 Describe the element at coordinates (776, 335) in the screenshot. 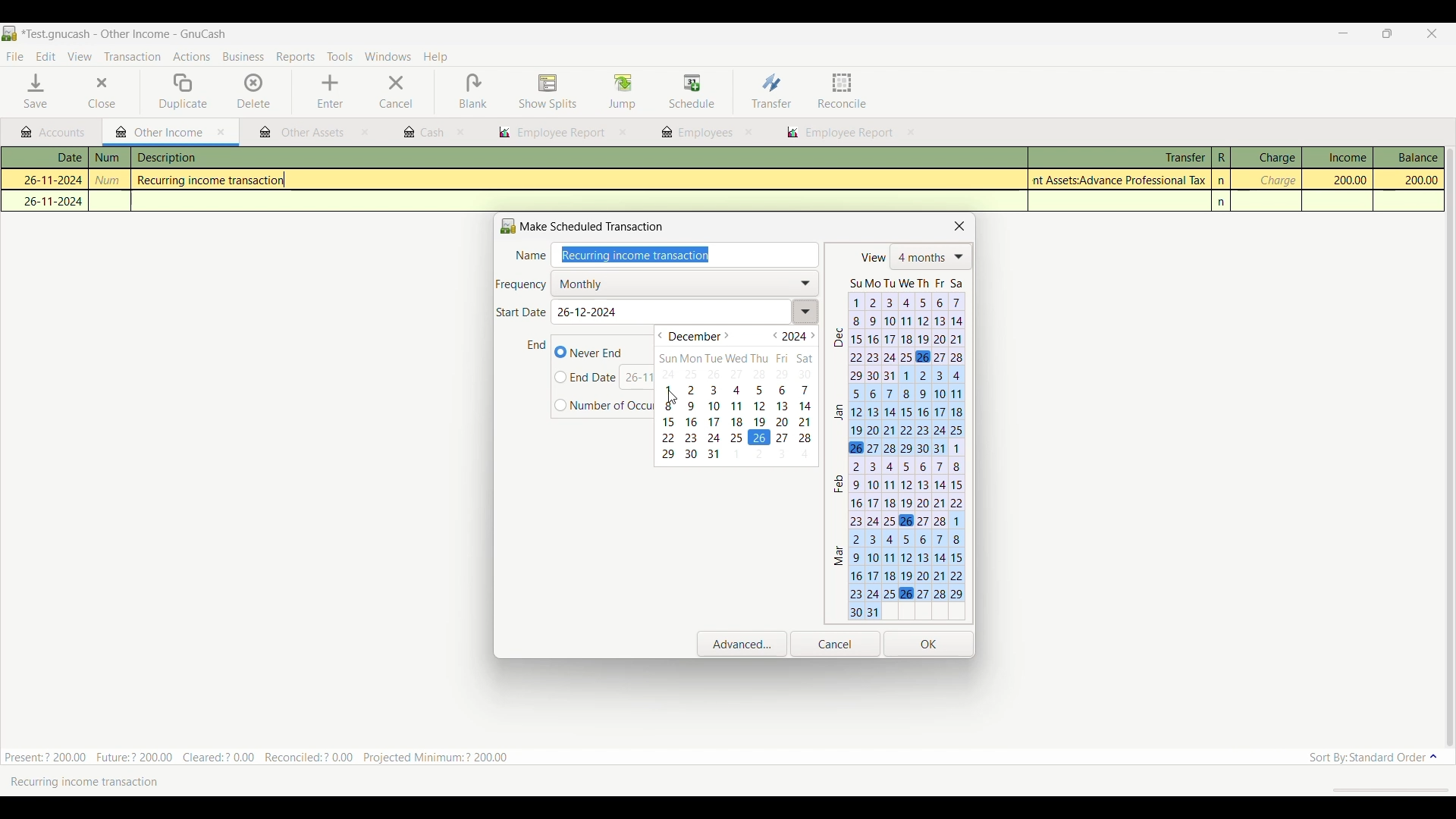

I see `Go to previous year` at that location.